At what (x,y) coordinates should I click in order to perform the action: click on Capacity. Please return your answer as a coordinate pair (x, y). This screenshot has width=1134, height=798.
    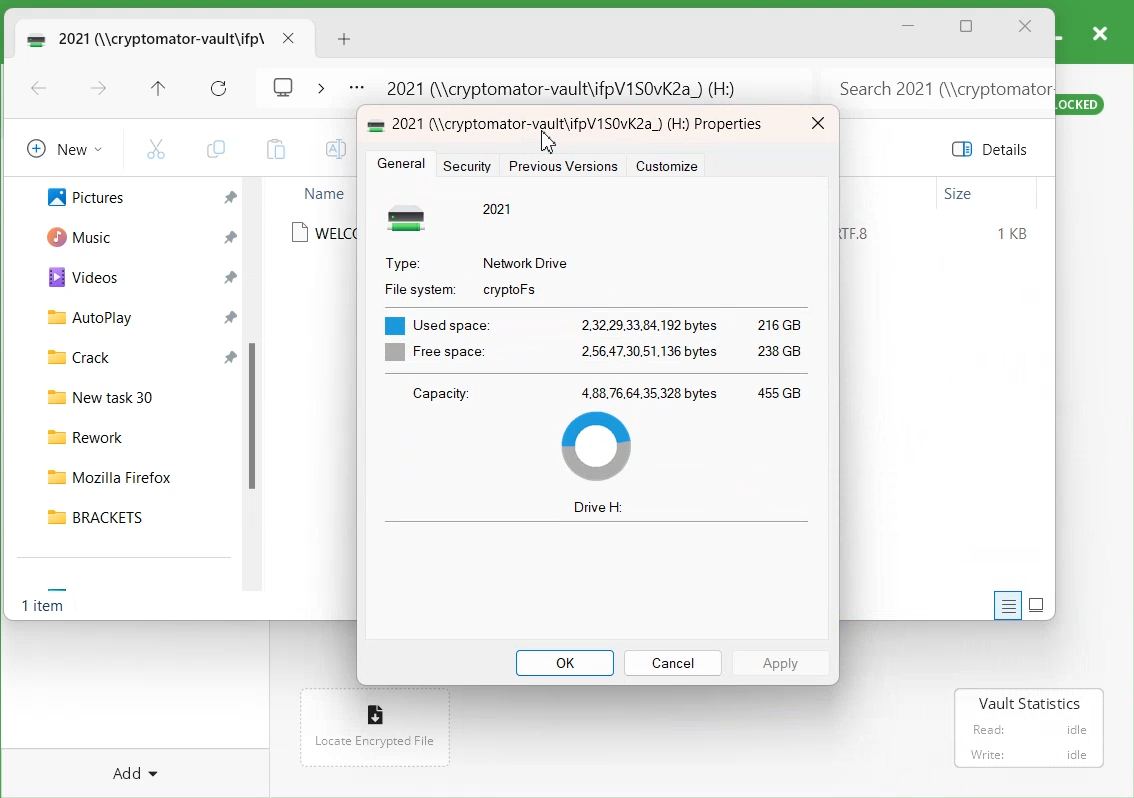
    Looking at the image, I should click on (439, 393).